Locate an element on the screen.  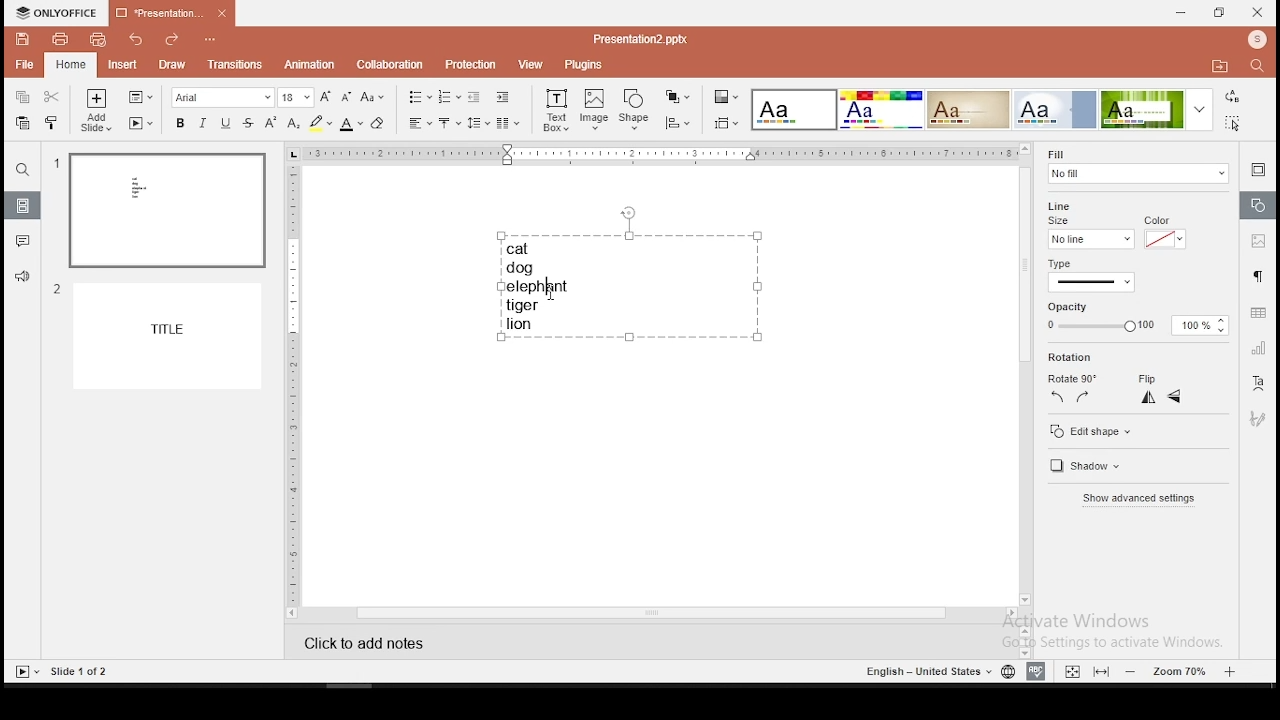
bold is located at coordinates (176, 123).